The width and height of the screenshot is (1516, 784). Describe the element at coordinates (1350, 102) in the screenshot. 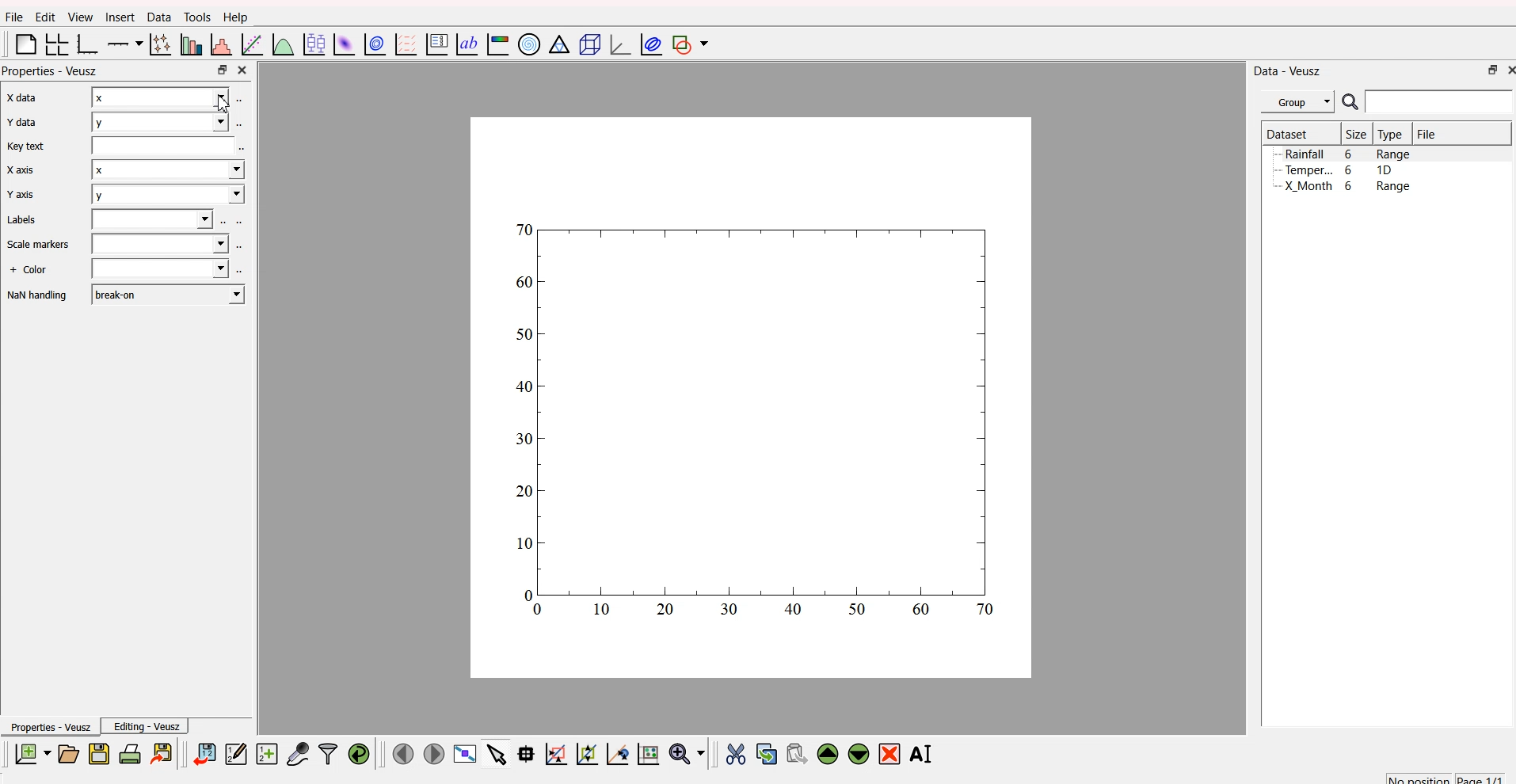

I see `search icon` at that location.